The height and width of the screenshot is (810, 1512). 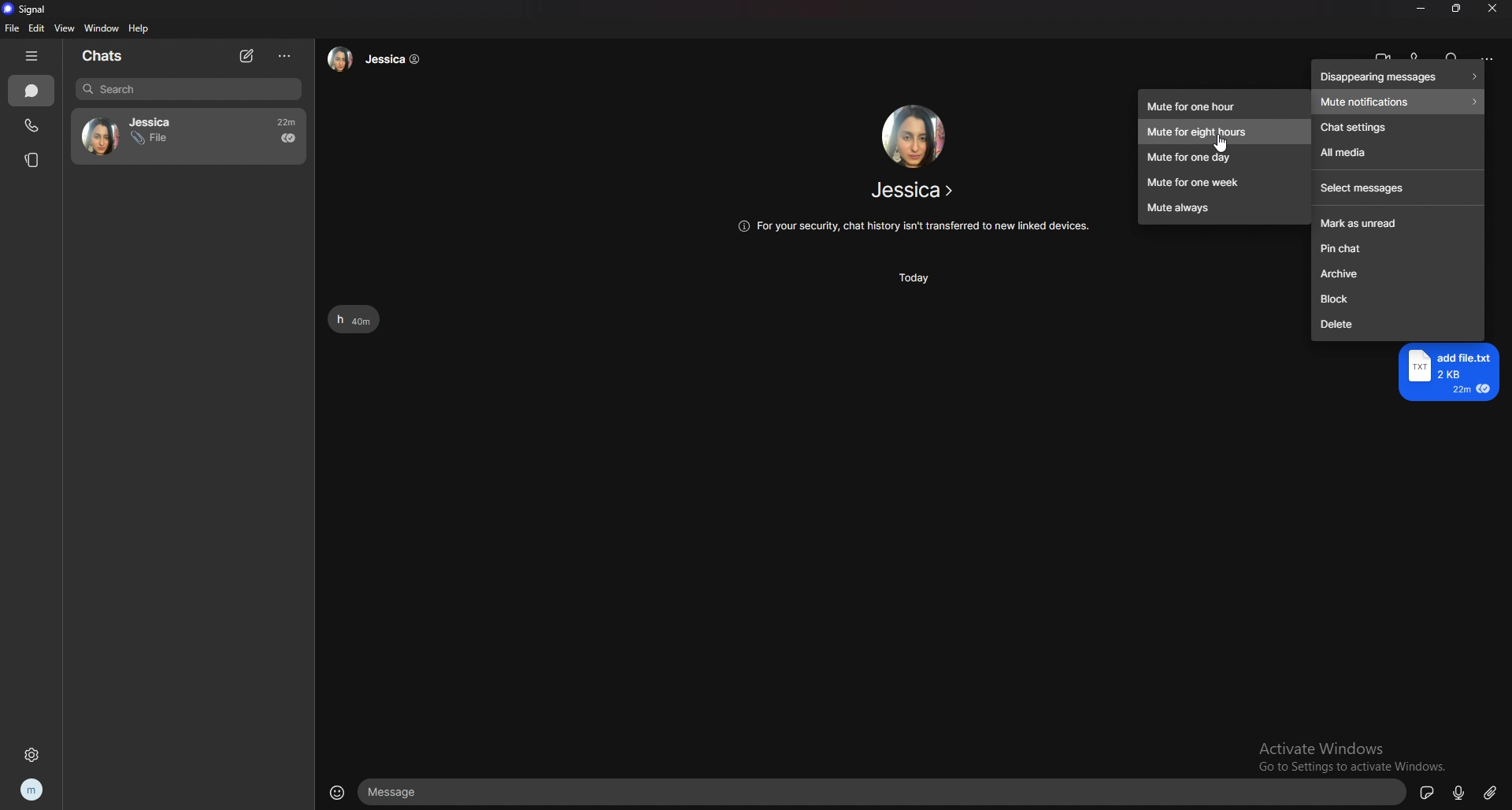 I want to click on calls, so click(x=34, y=126).